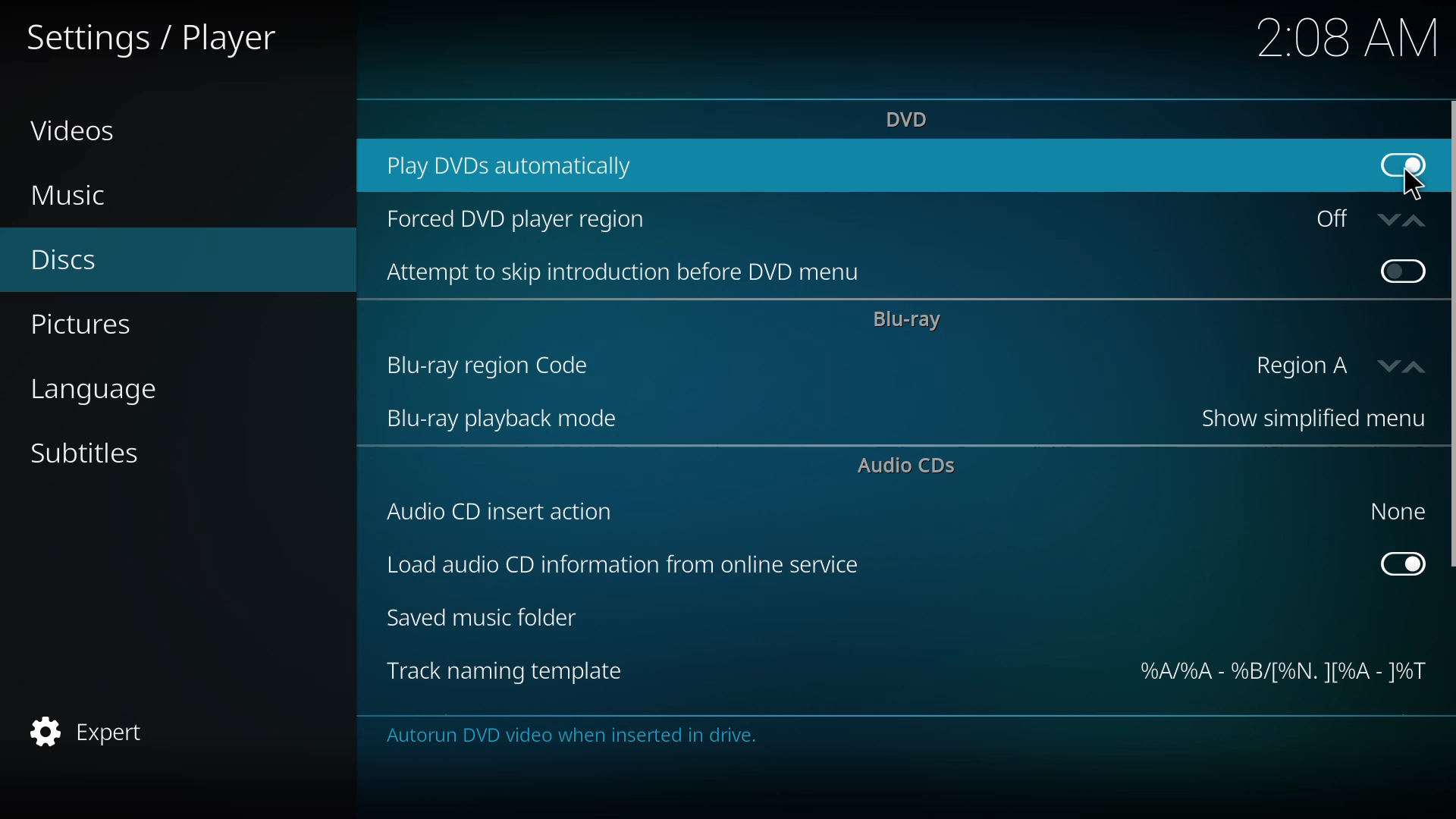 The width and height of the screenshot is (1456, 819). What do you see at coordinates (488, 620) in the screenshot?
I see `saved music folder` at bounding box center [488, 620].